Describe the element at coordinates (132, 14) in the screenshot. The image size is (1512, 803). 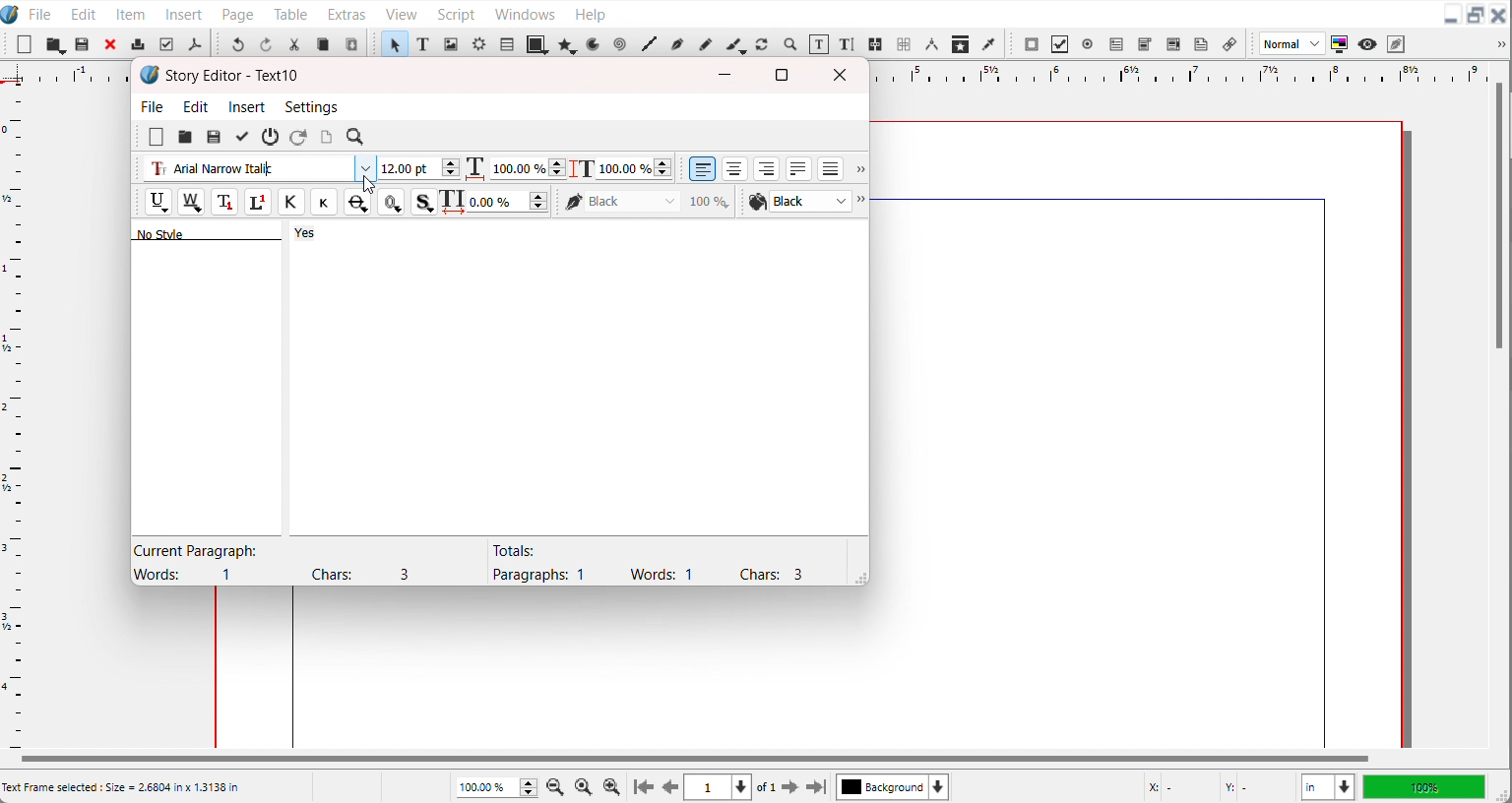
I see `Item` at that location.